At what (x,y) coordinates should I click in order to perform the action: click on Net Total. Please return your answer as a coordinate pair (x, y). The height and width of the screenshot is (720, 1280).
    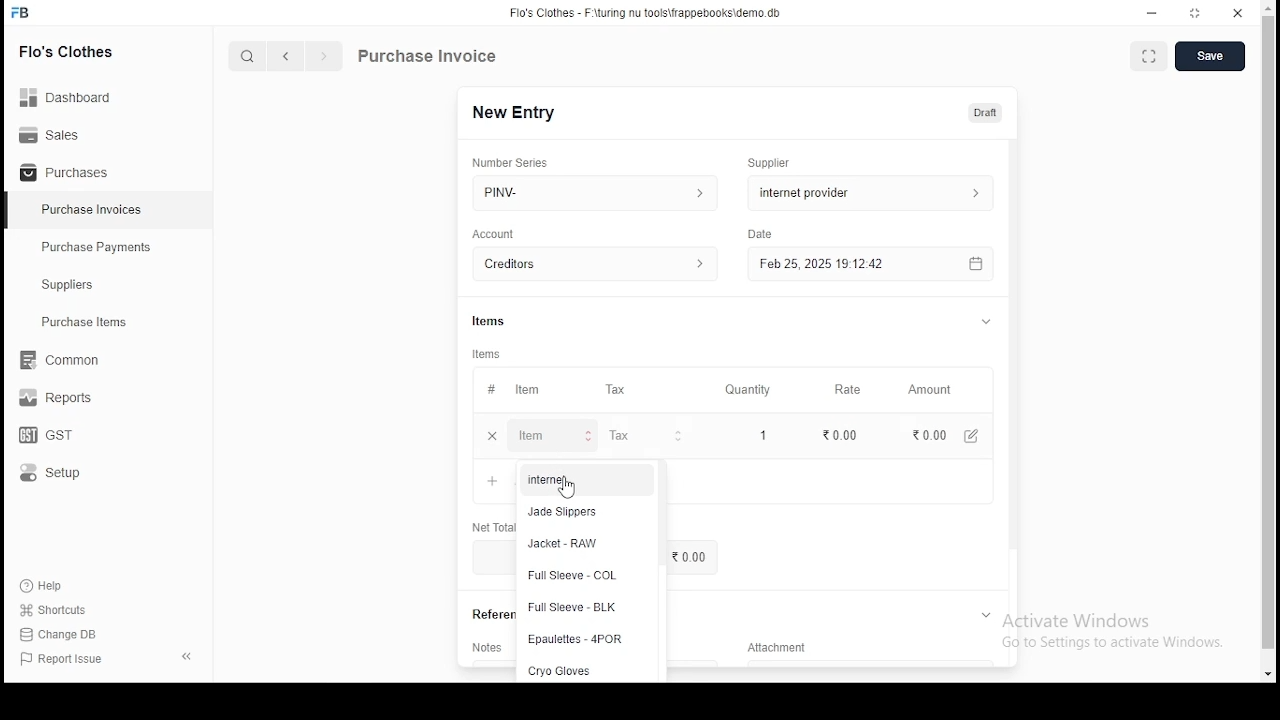
    Looking at the image, I should click on (493, 528).